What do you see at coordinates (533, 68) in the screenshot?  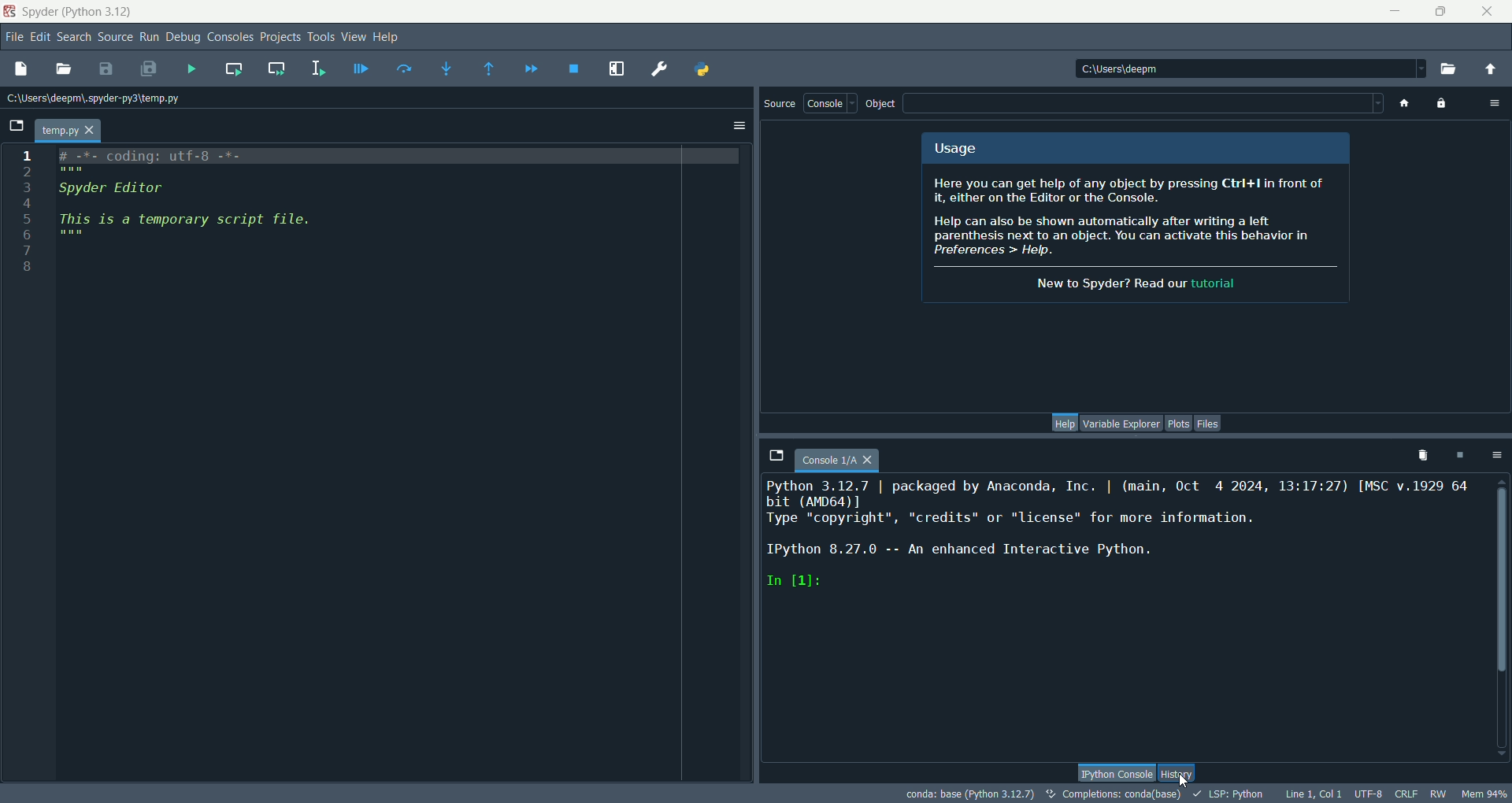 I see `continue execution until next breakpoint` at bounding box center [533, 68].